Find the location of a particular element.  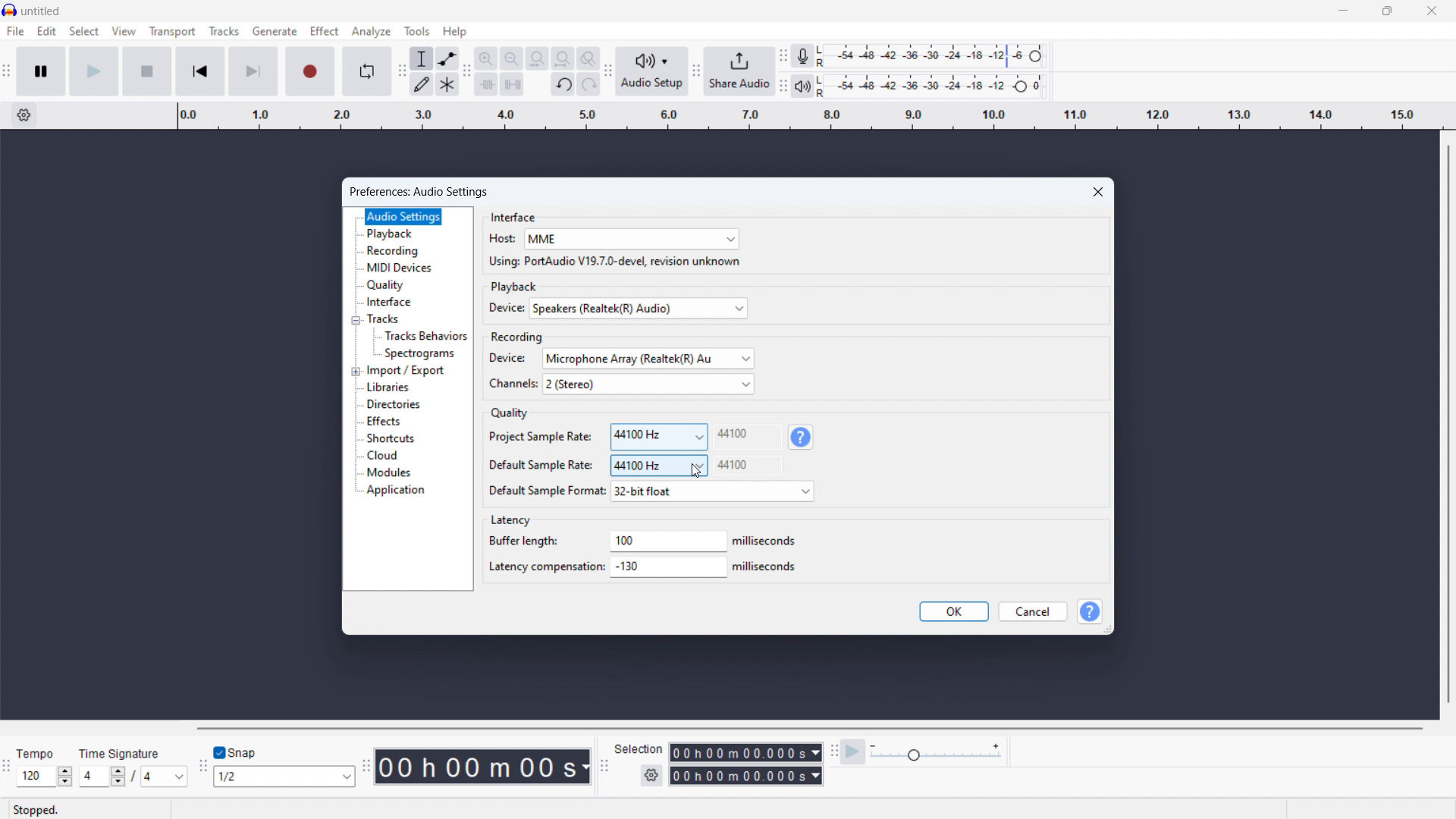

play at speed toolbar is located at coordinates (833, 752).